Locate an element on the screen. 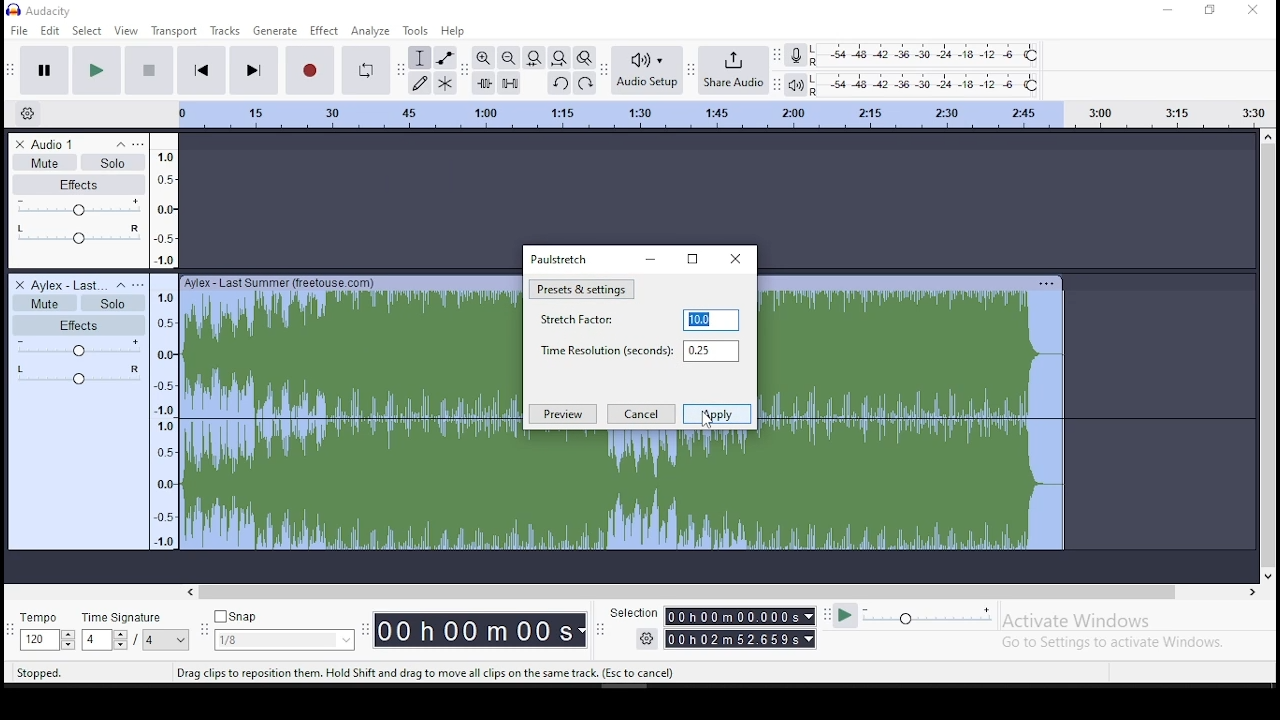 The width and height of the screenshot is (1280, 720). scale is located at coordinates (164, 341).